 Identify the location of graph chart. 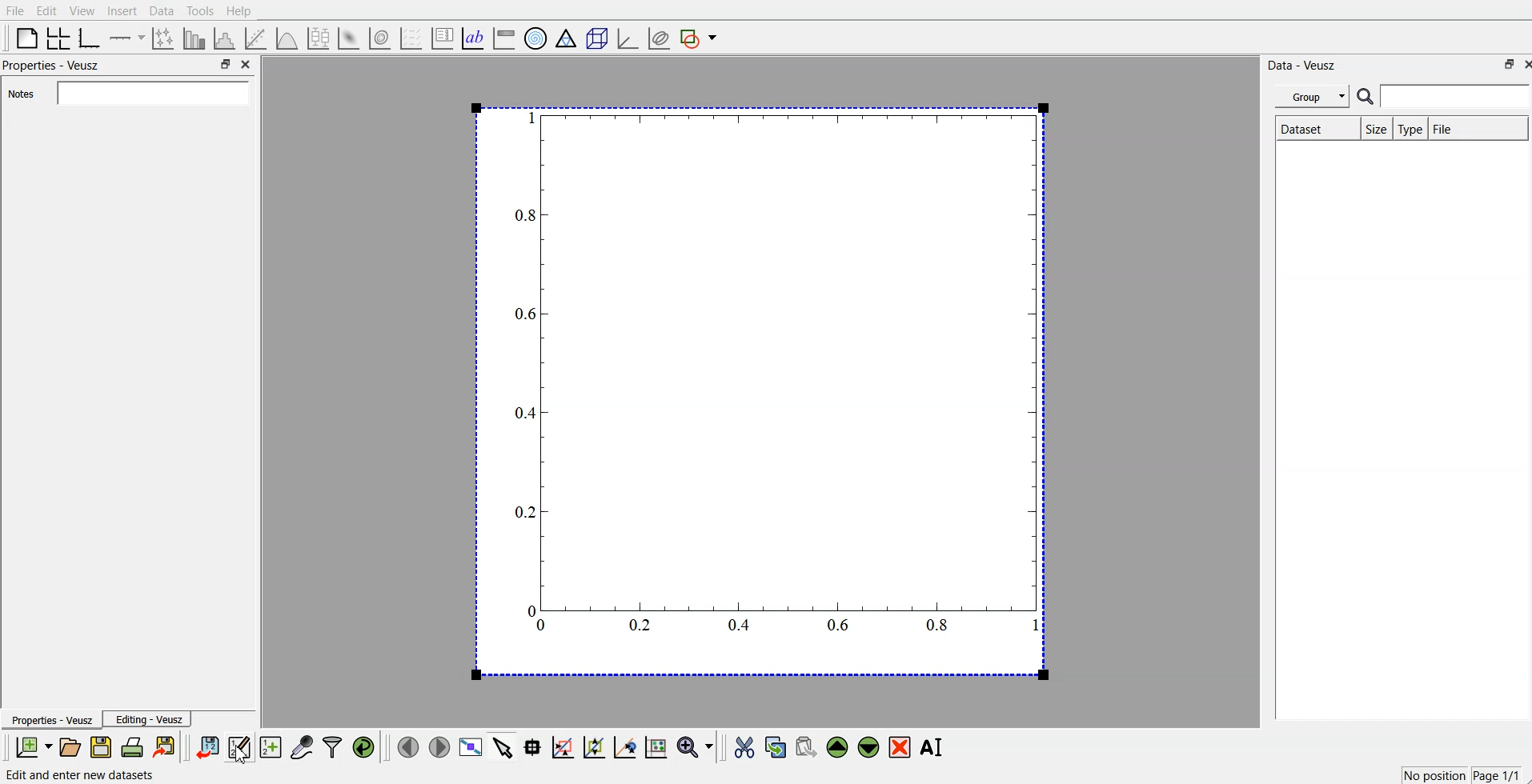
(761, 390).